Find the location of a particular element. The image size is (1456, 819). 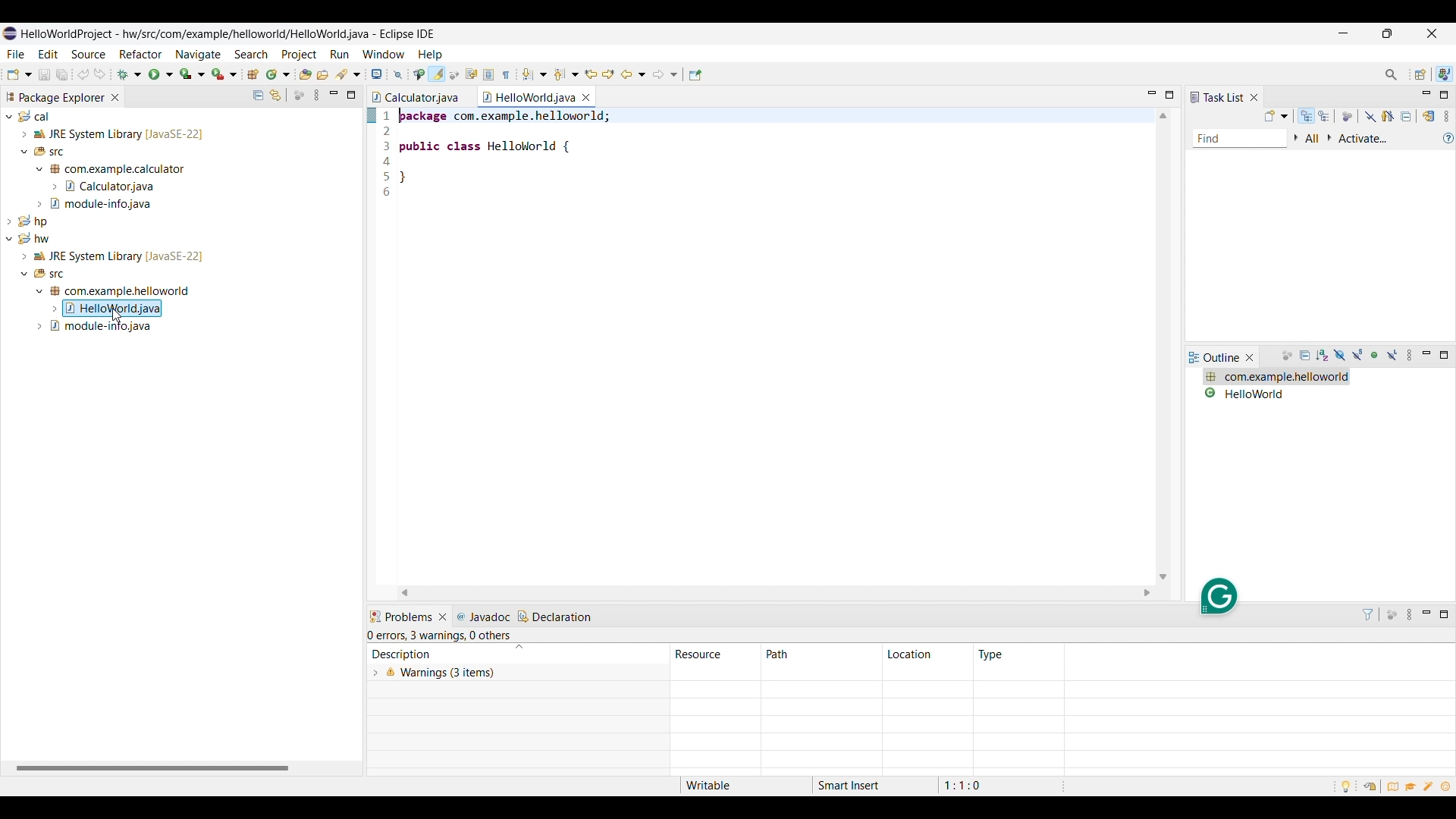

Find is located at coordinates (1240, 140).